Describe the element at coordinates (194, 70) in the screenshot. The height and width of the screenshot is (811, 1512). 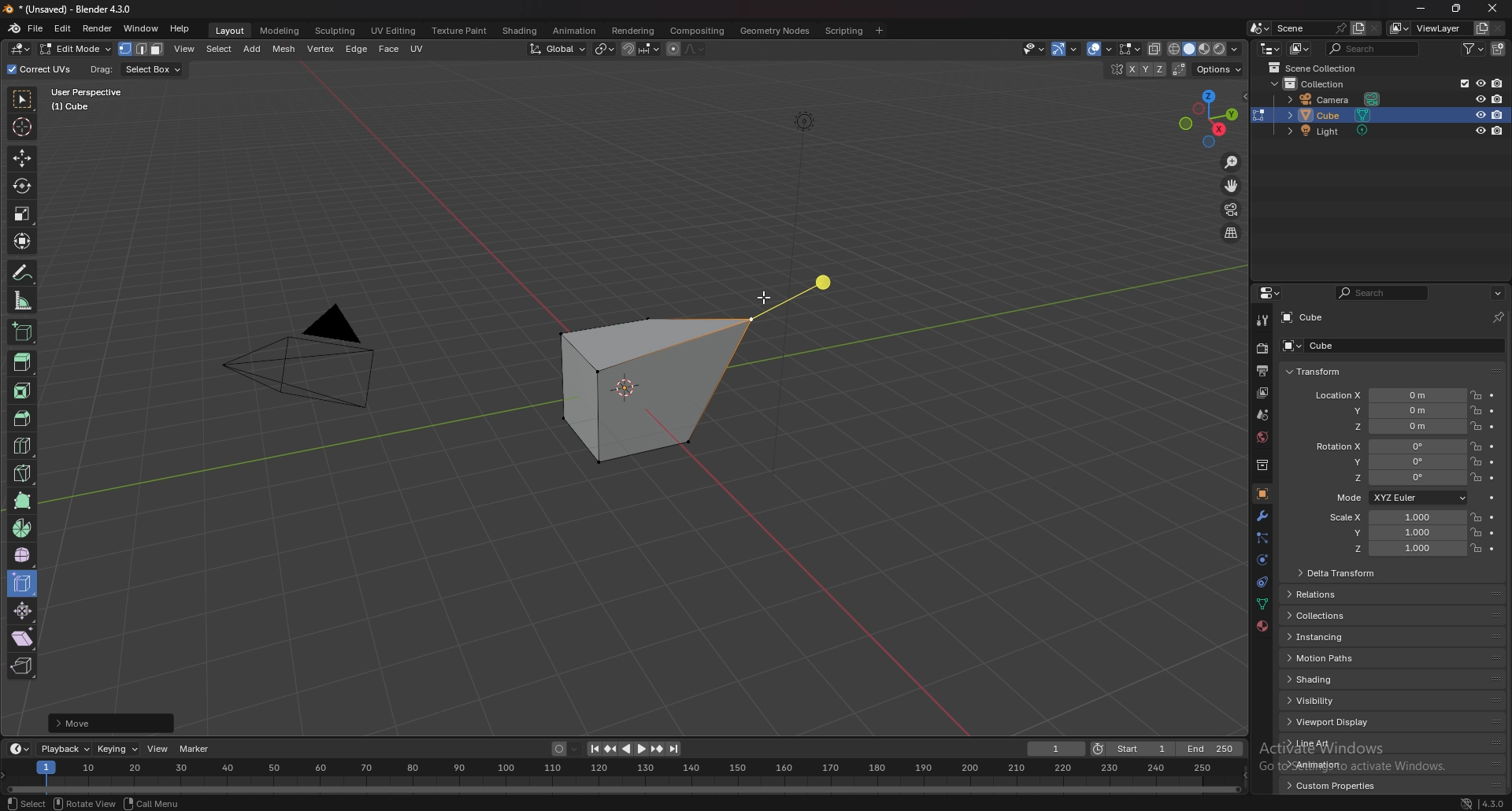
I see `info` at that location.